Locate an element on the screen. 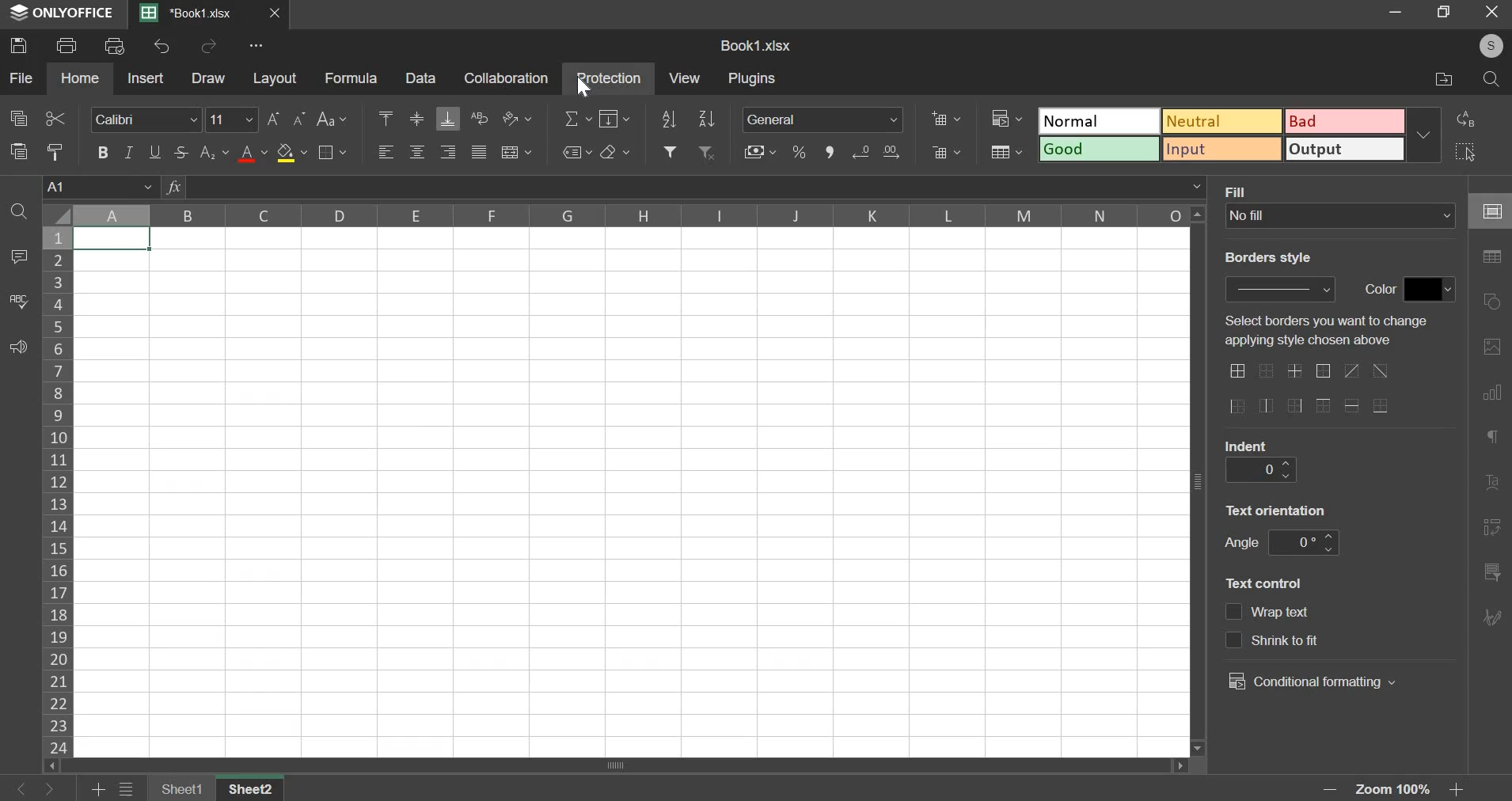 The width and height of the screenshot is (1512, 801). remove filter is located at coordinates (706, 153).